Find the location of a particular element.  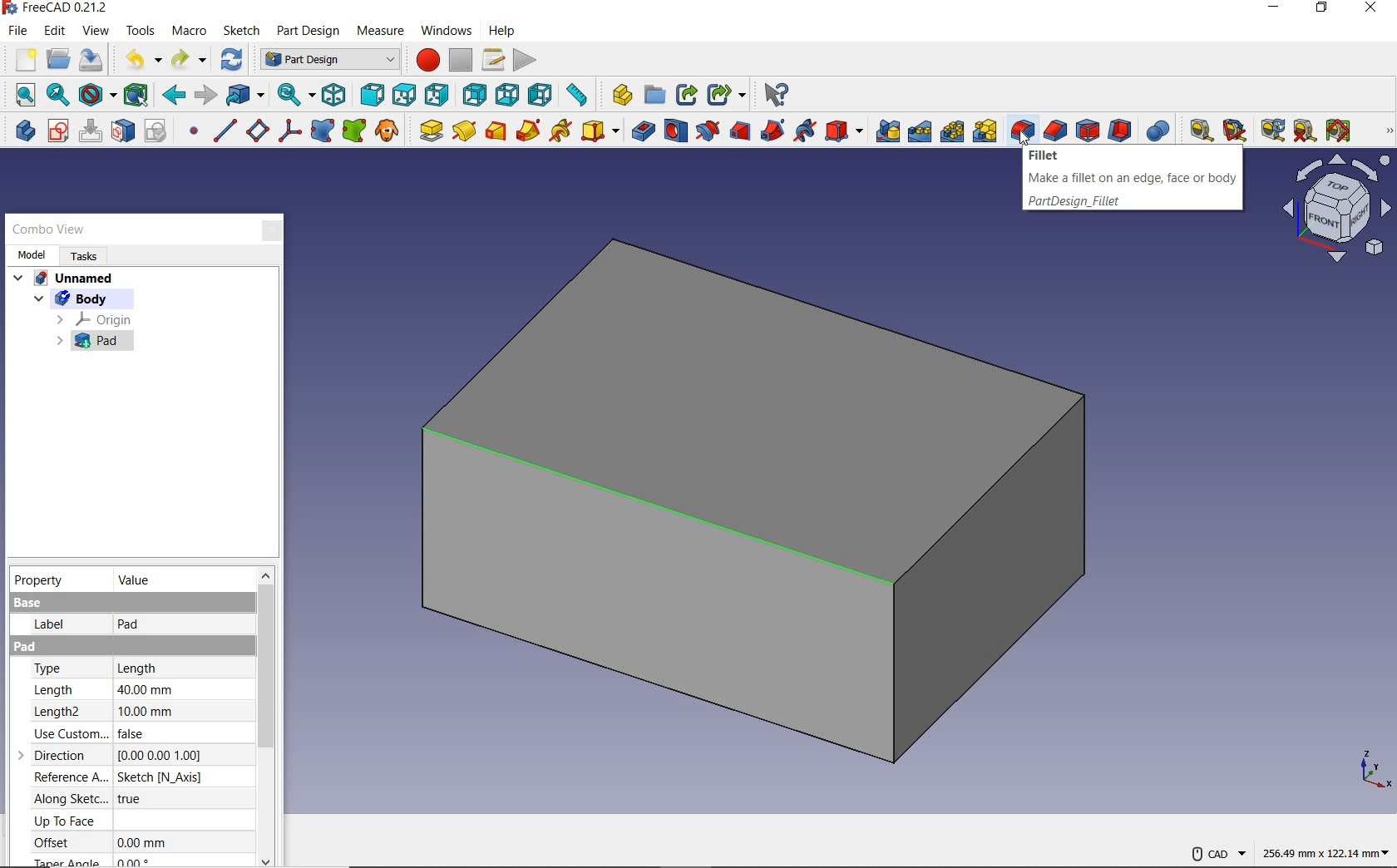

view is located at coordinates (96, 31).